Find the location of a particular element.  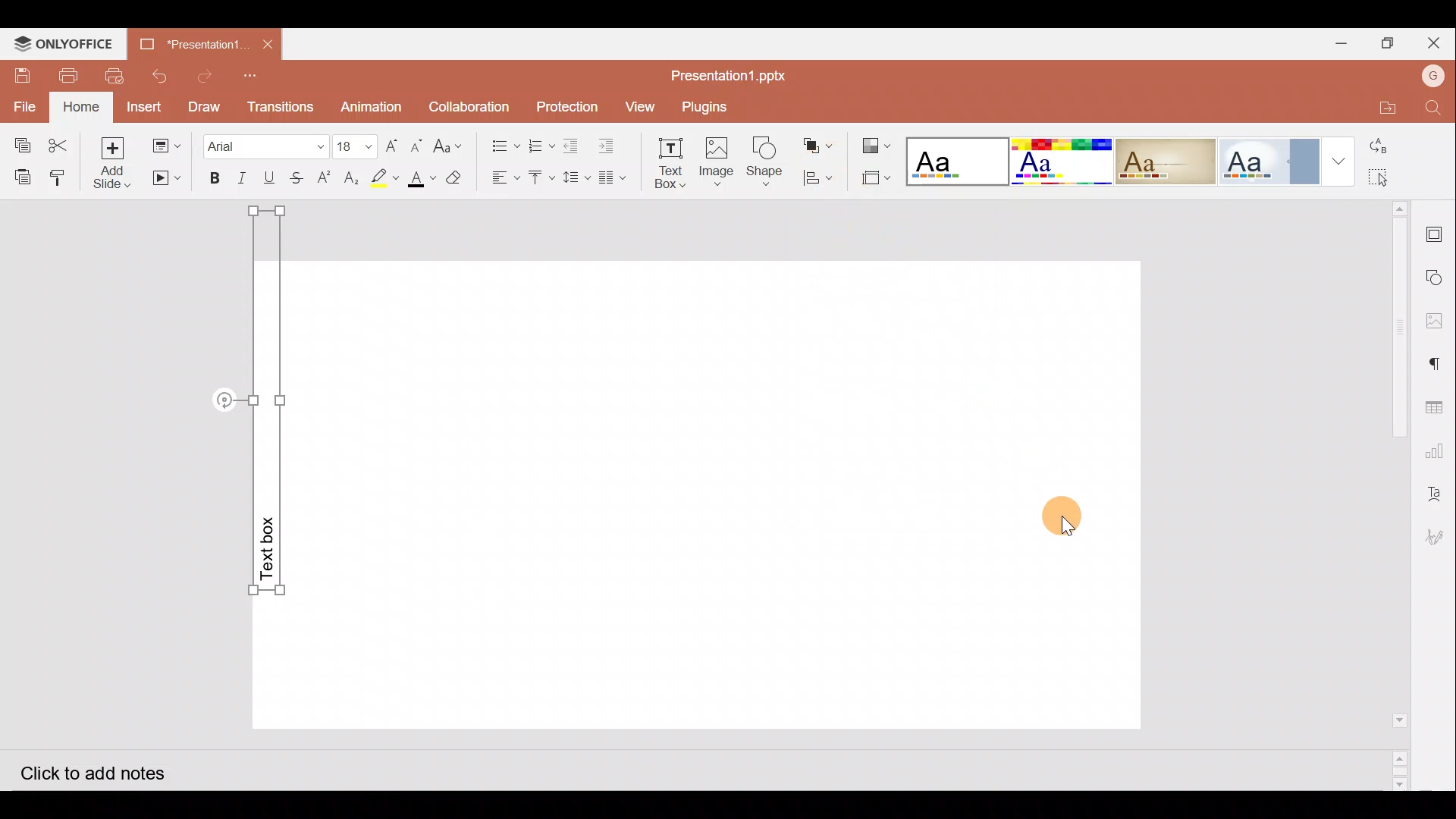

Insert Shape is located at coordinates (764, 162).